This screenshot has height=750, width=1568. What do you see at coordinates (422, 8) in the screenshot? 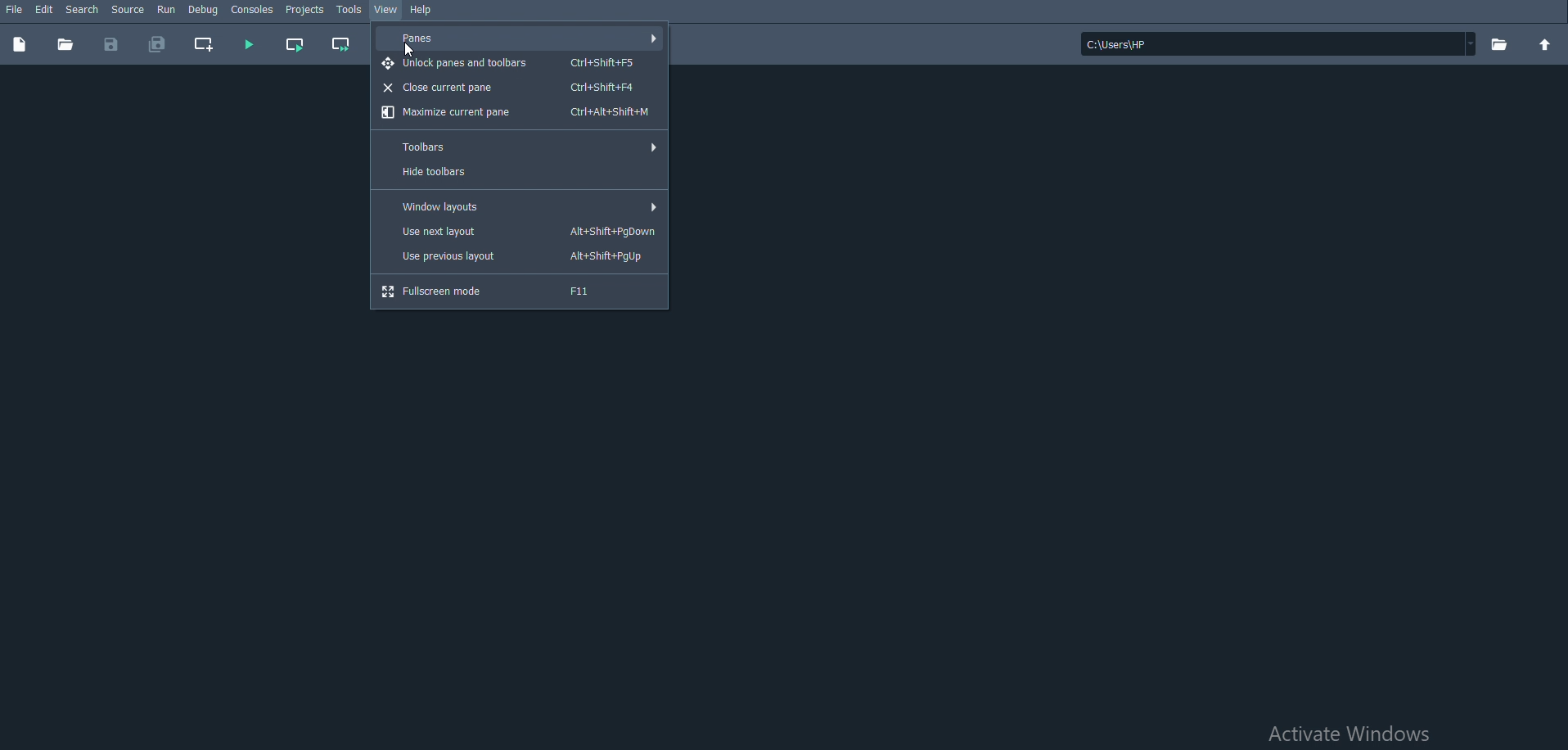
I see `Help` at bounding box center [422, 8].